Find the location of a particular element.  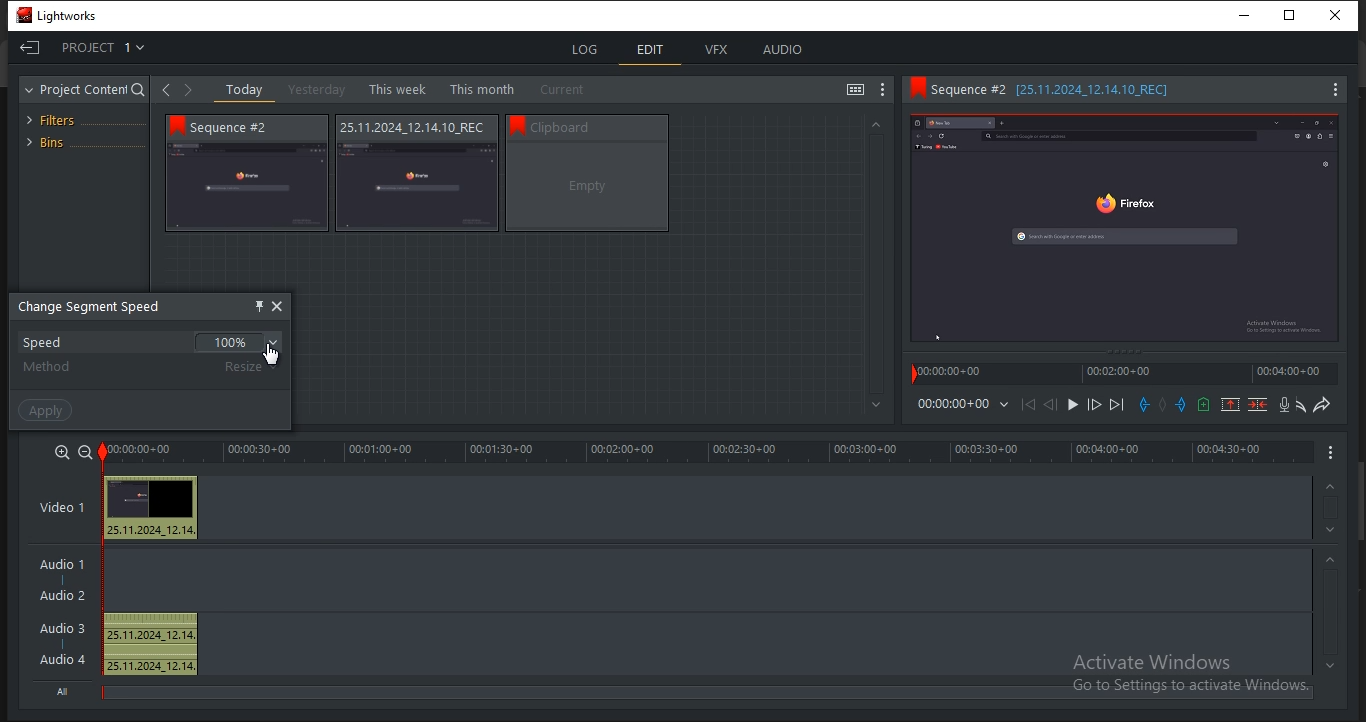

Close is located at coordinates (1339, 14).